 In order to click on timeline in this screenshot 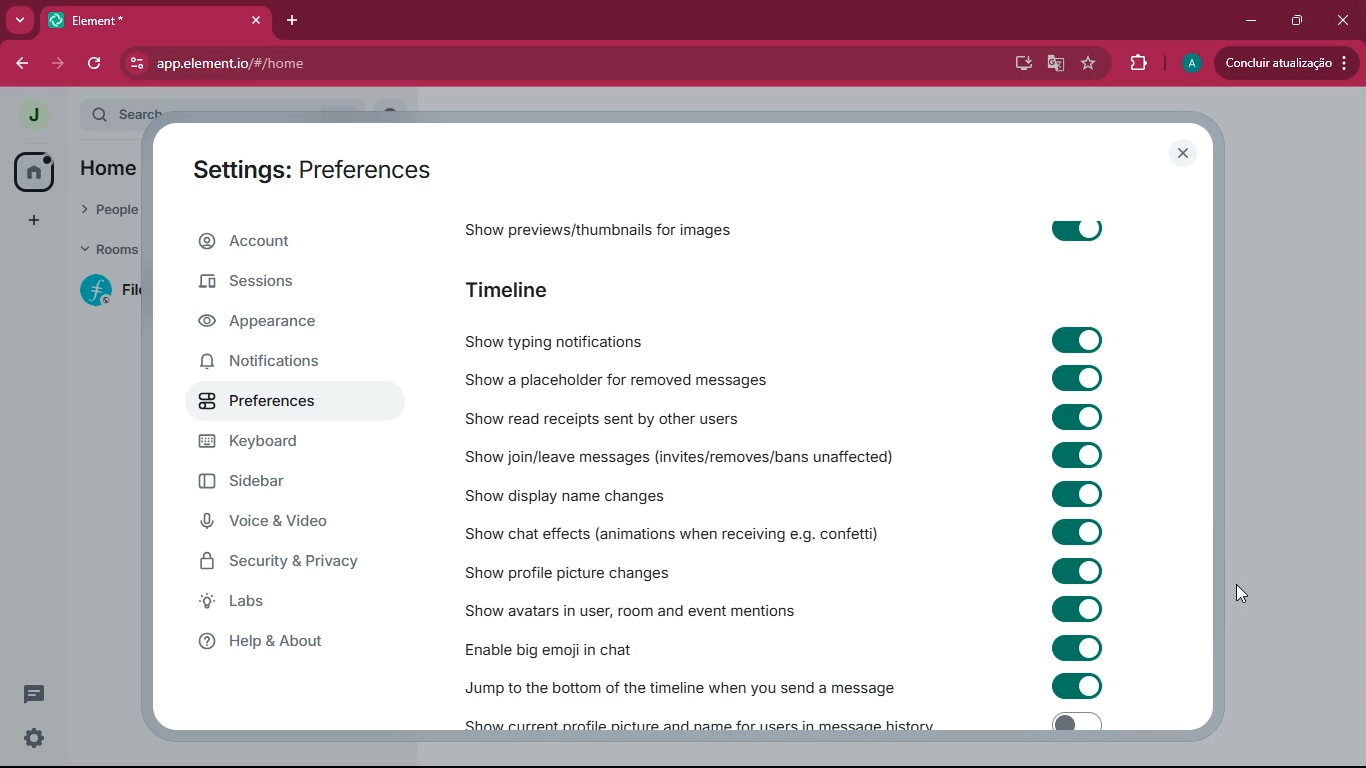, I will do `click(523, 292)`.